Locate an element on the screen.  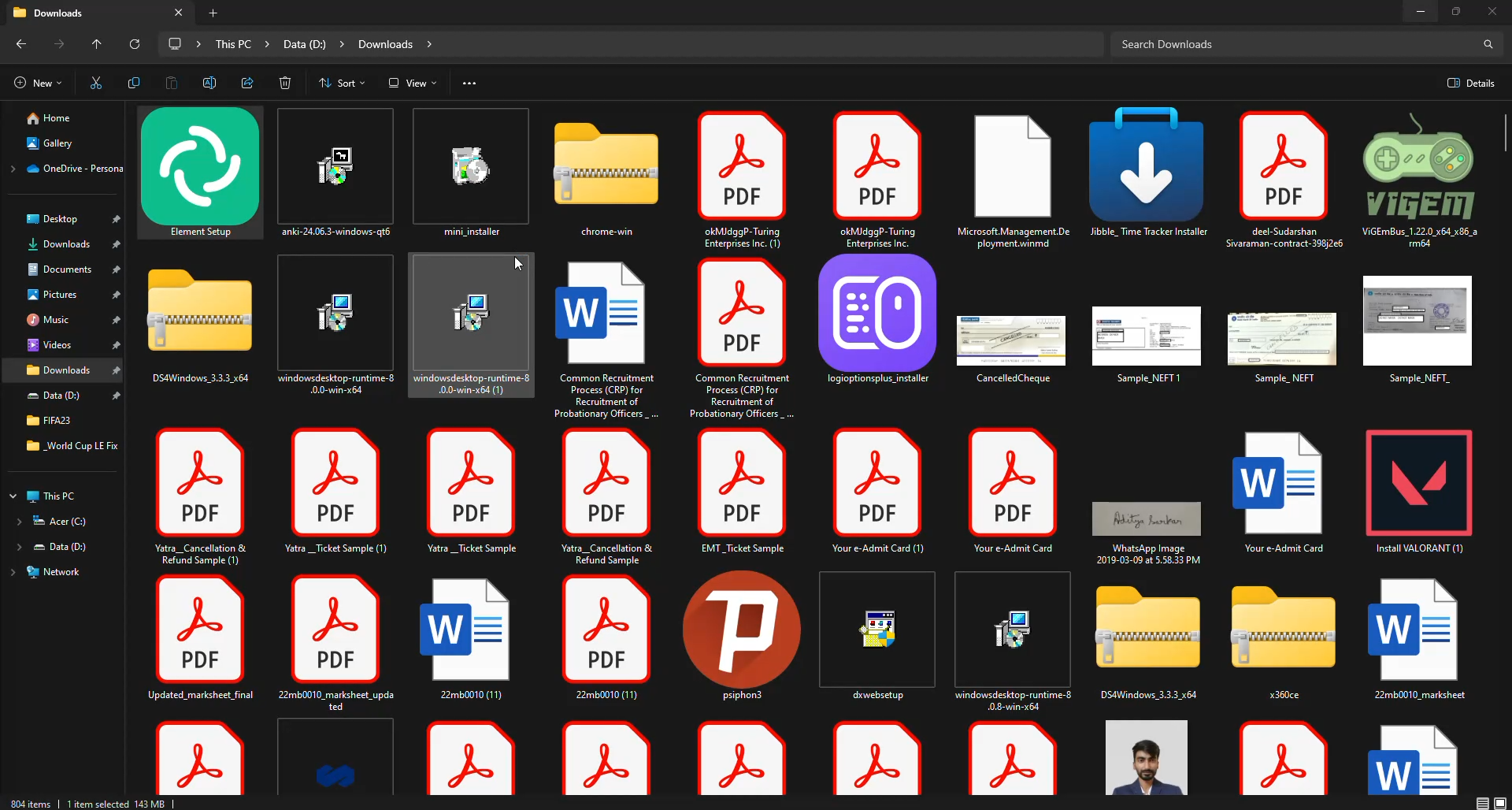
minimize is located at coordinates (1419, 12).